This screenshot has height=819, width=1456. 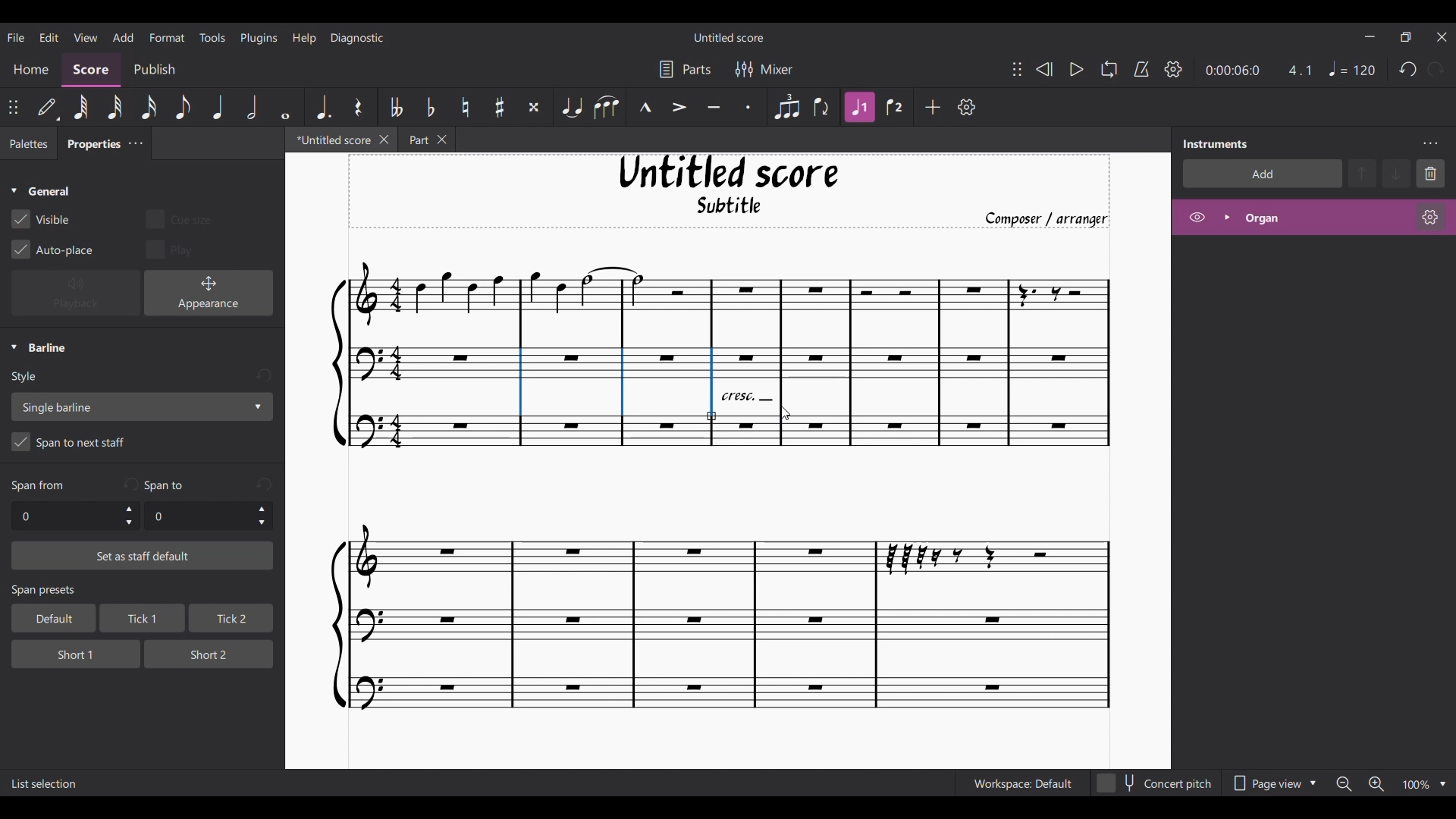 I want to click on File menu, so click(x=16, y=36).